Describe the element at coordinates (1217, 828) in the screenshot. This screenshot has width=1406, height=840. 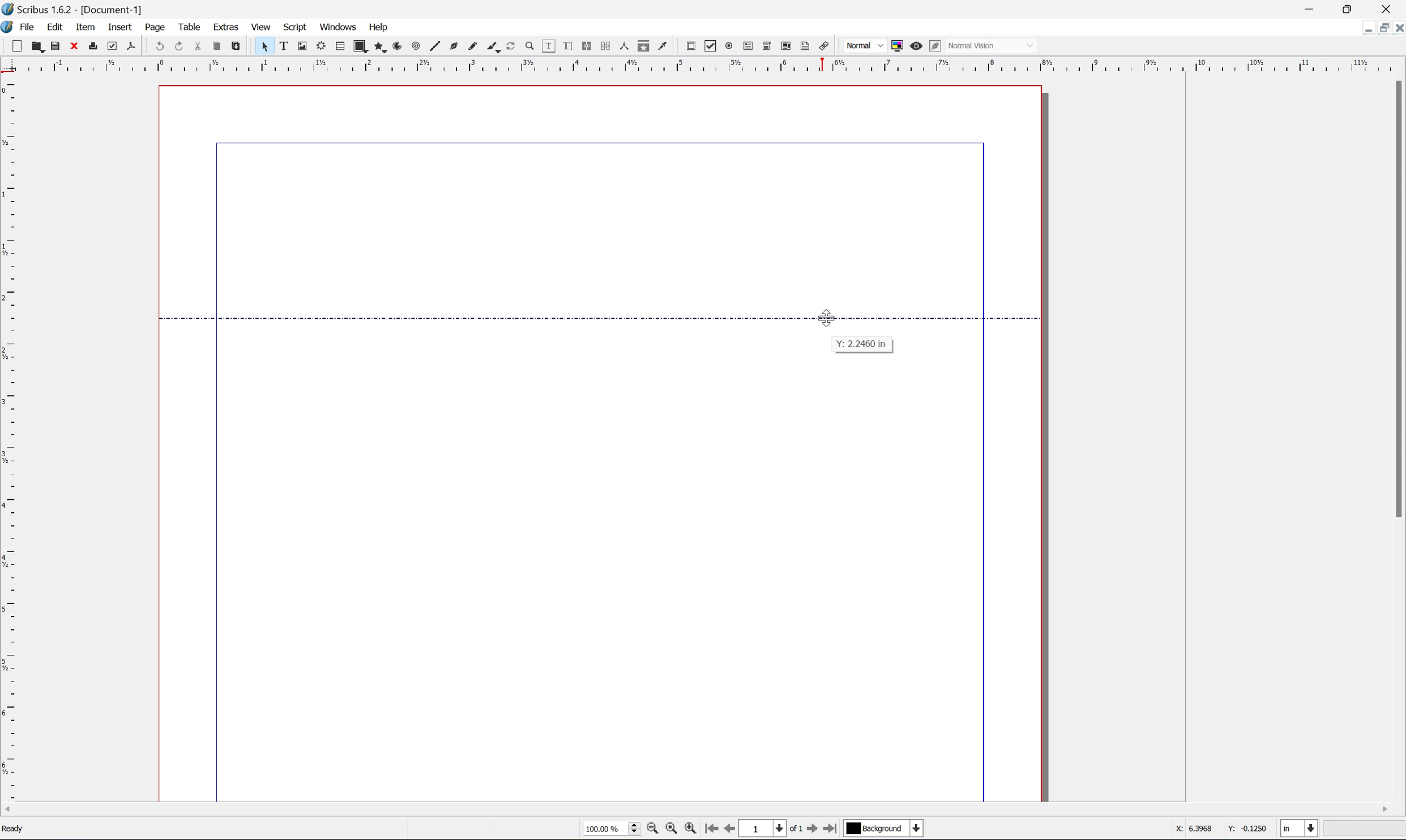
I see `X: 6.3968  Y:-0.1250` at that location.